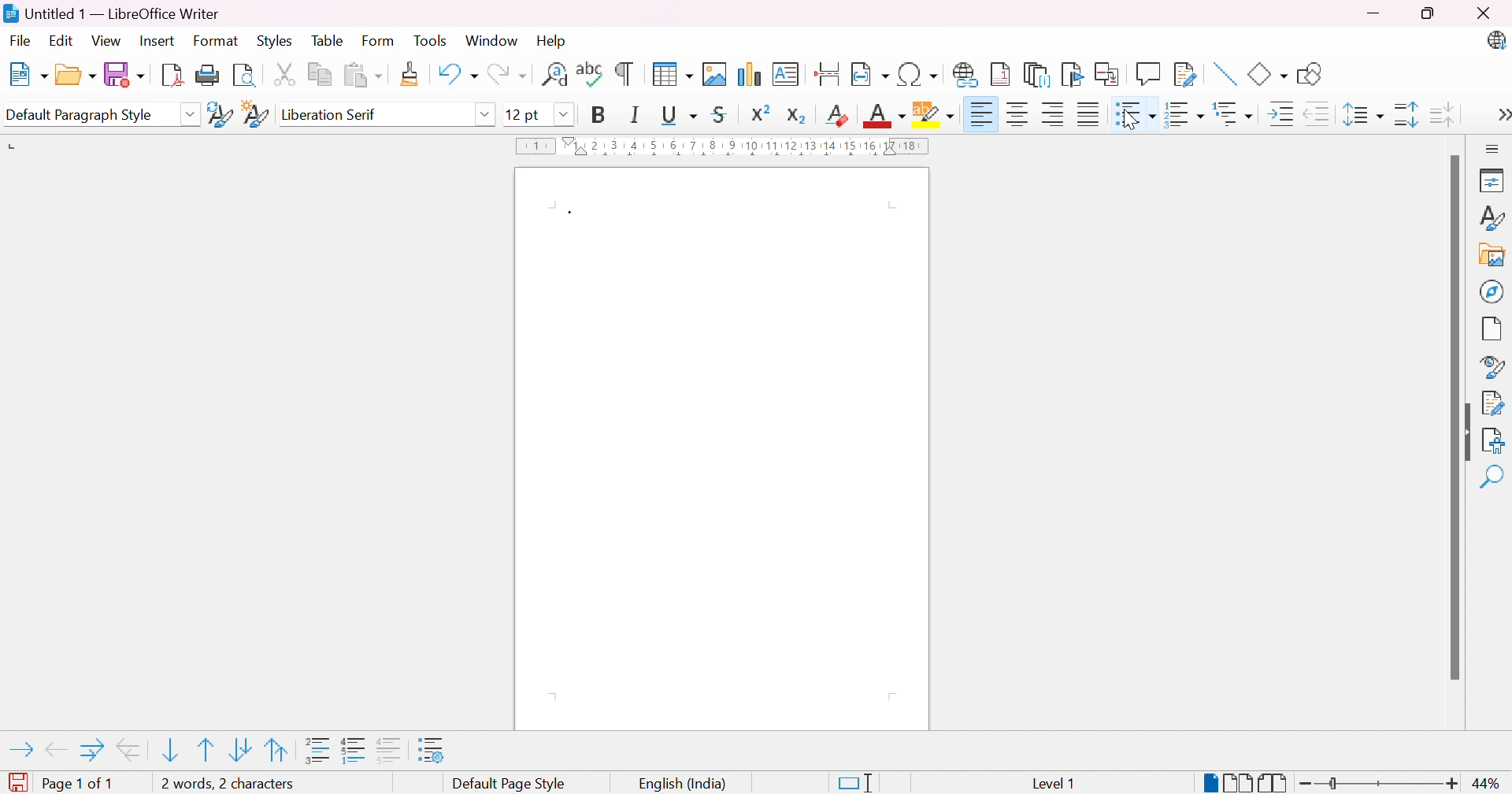 This screenshot has height=794, width=1512. What do you see at coordinates (279, 749) in the screenshot?
I see `Move item up with subpoints` at bounding box center [279, 749].